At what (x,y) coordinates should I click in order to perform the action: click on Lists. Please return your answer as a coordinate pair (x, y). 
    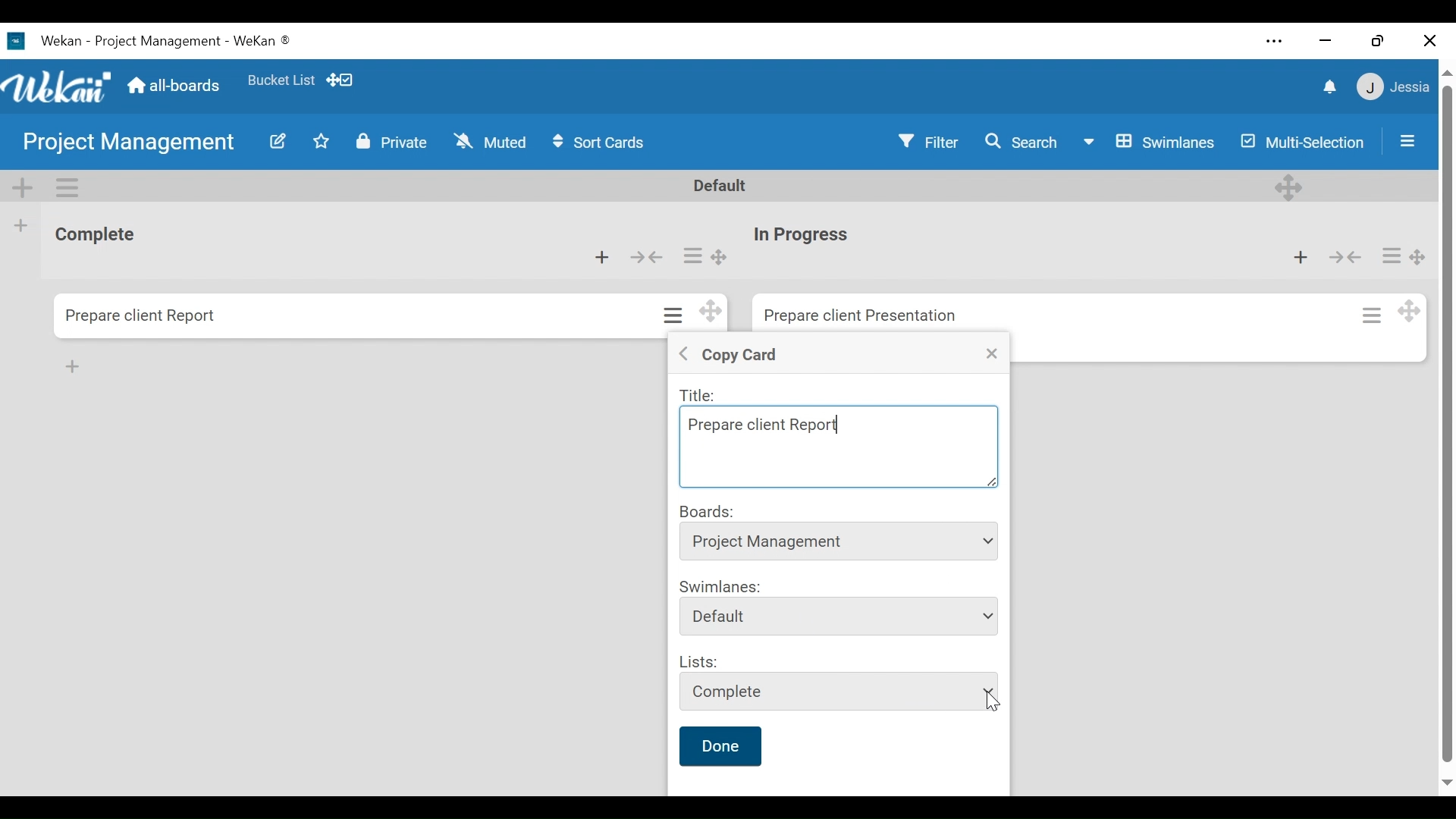
    Looking at the image, I should click on (699, 662).